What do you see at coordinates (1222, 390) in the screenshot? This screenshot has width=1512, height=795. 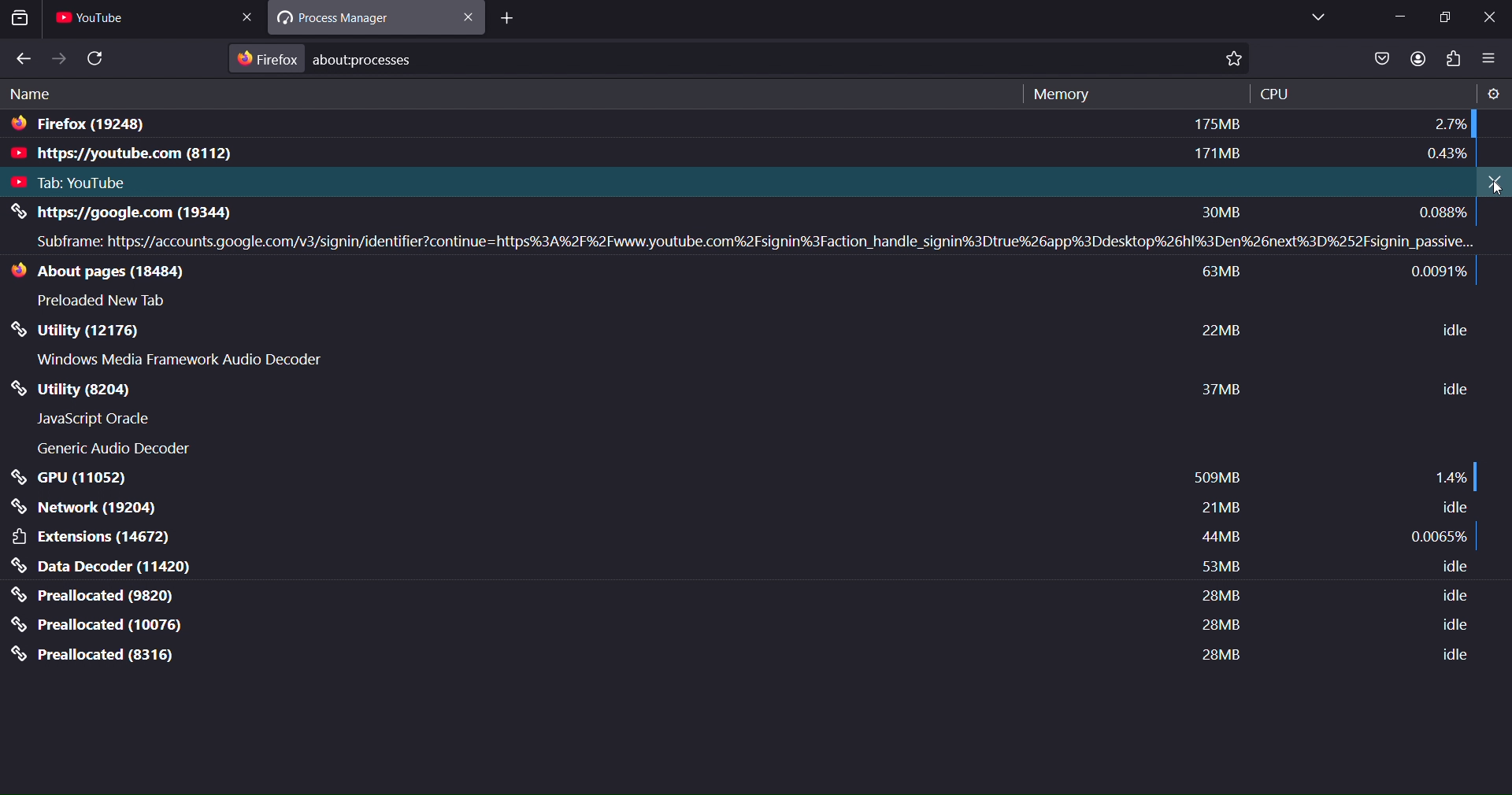 I see `37 mb` at bounding box center [1222, 390].